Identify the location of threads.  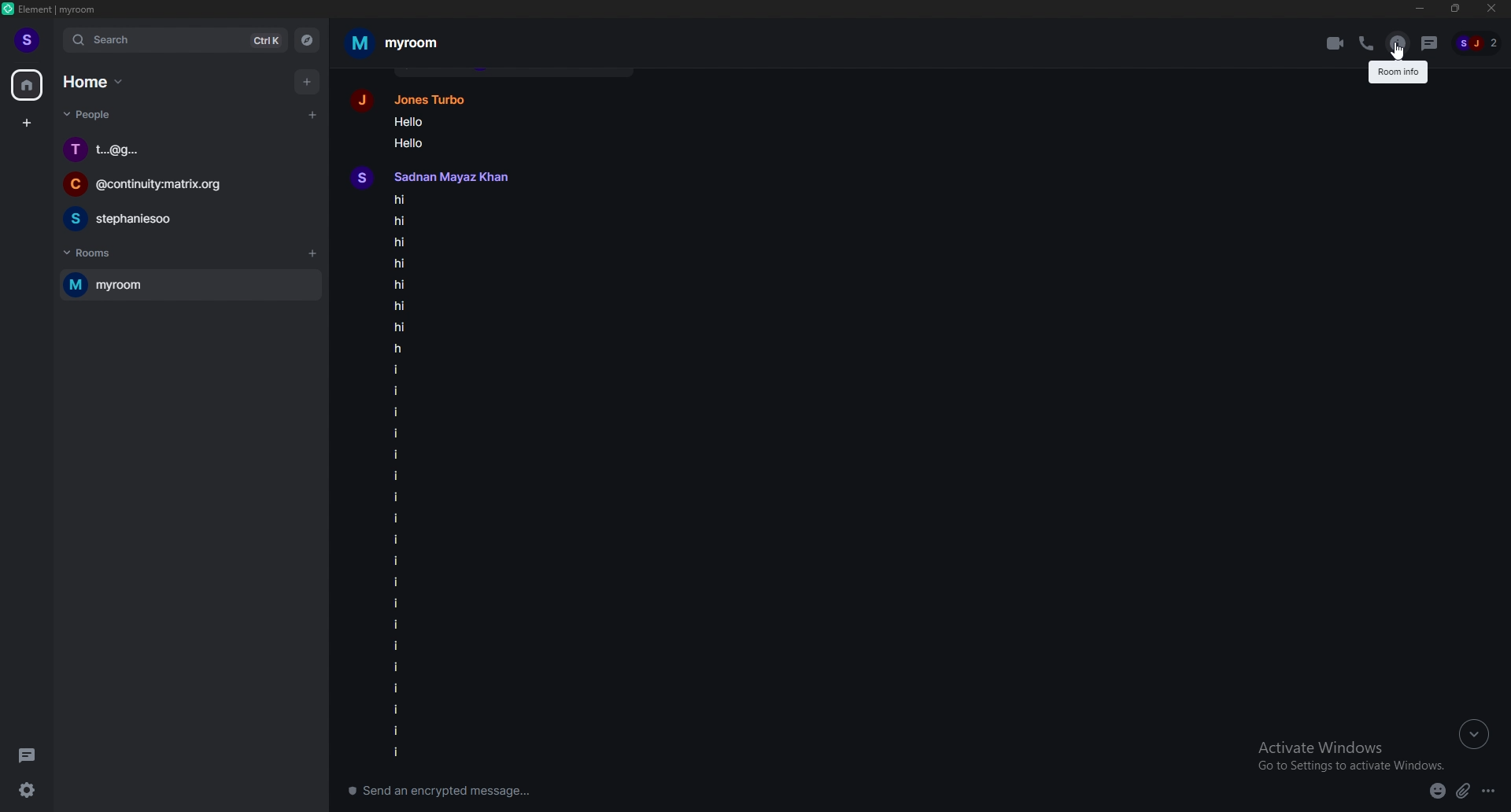
(30, 755).